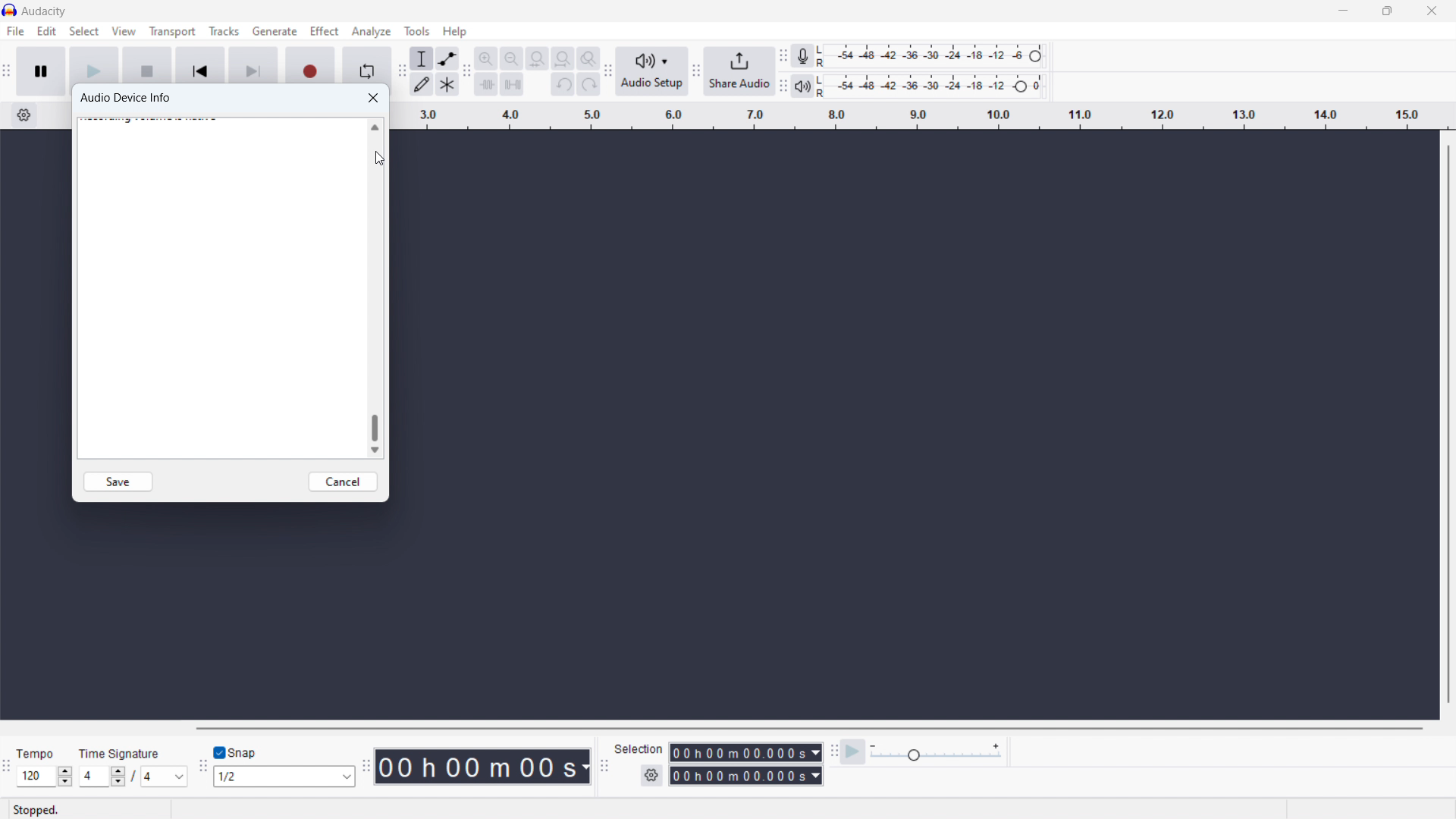 This screenshot has height=819, width=1456. What do you see at coordinates (512, 85) in the screenshot?
I see `silence selection` at bounding box center [512, 85].